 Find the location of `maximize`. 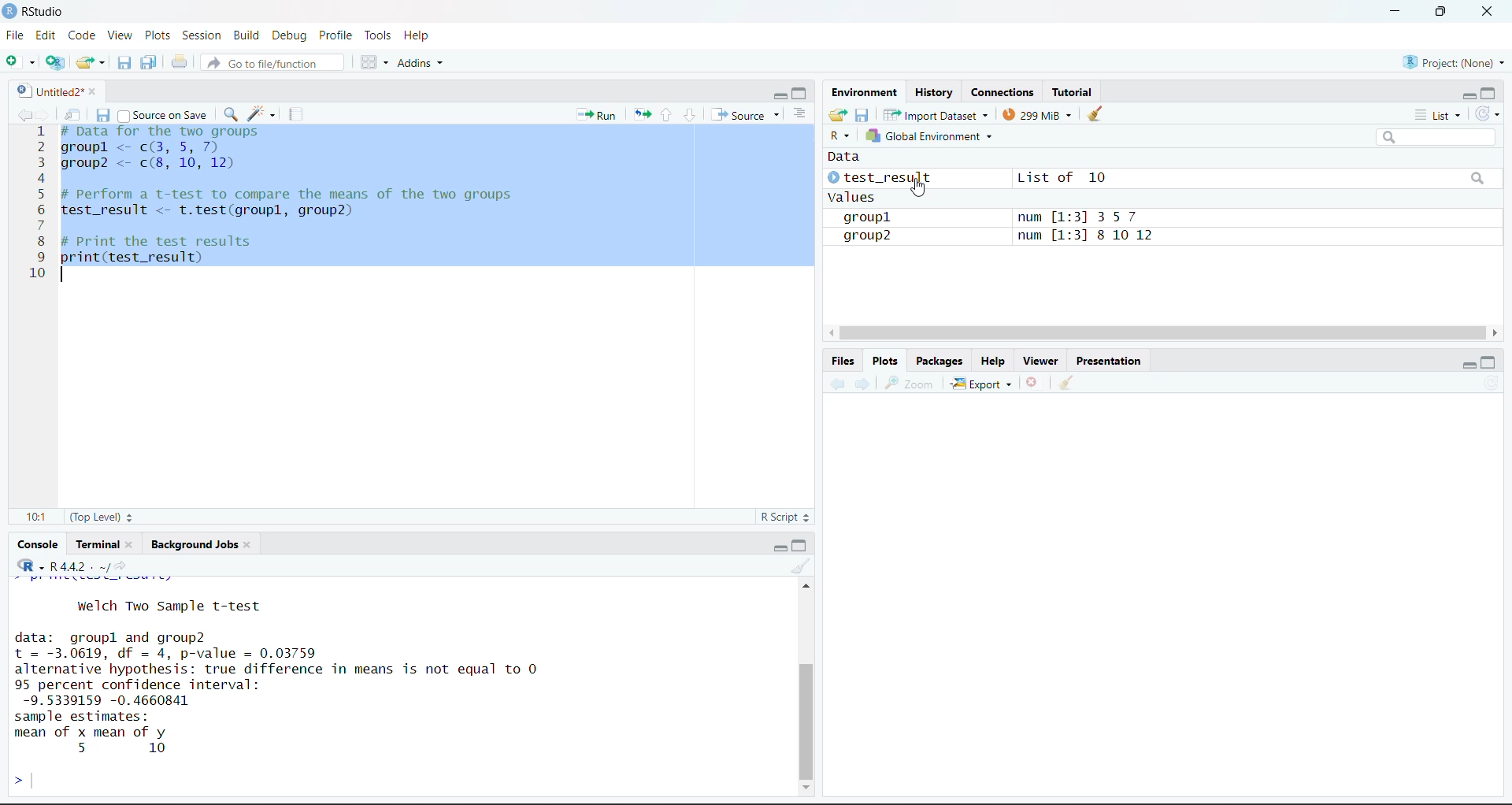

maximize is located at coordinates (1443, 11).